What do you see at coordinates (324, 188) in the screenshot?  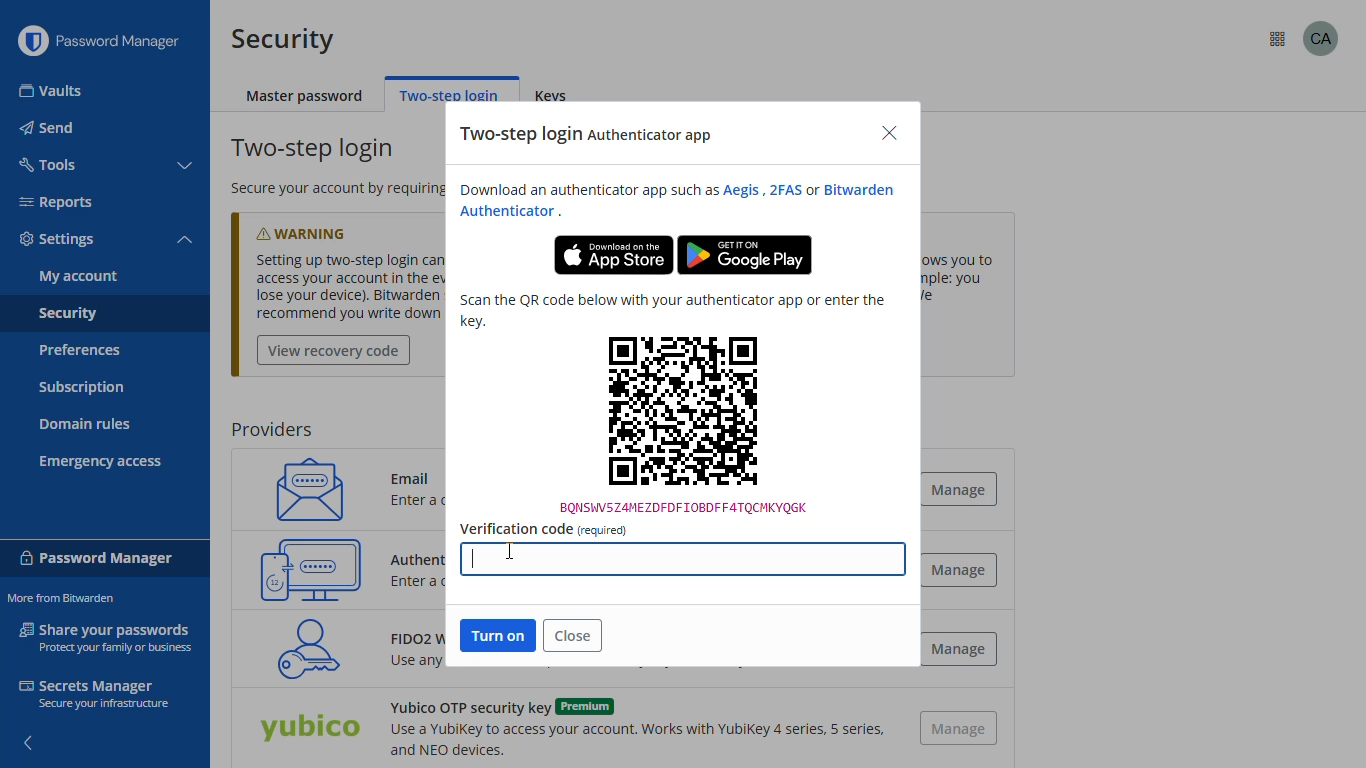 I see `secure your account by requiring an additional step when logging in` at bounding box center [324, 188].